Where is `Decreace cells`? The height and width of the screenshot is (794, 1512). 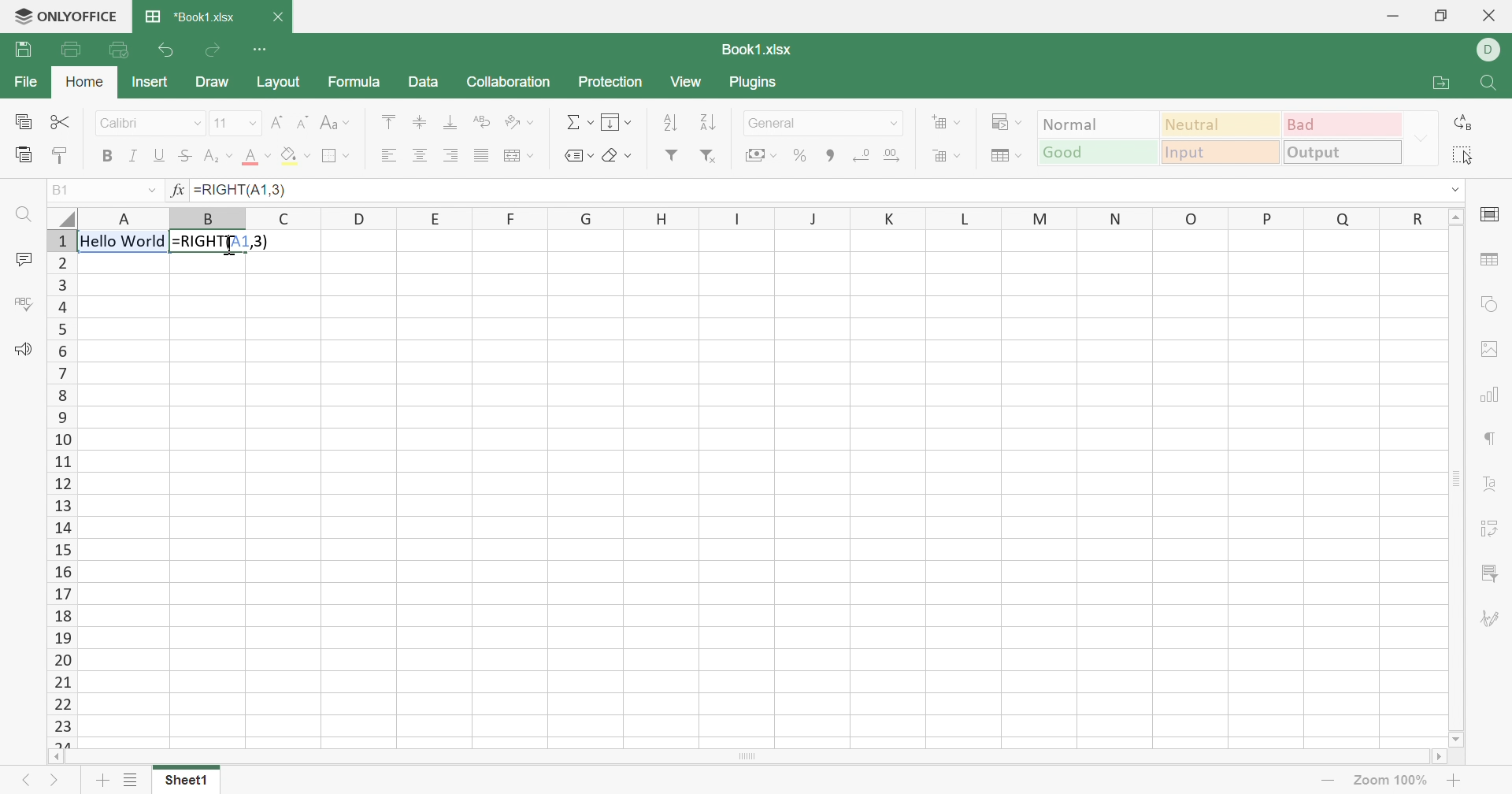
Decreace cells is located at coordinates (946, 153).